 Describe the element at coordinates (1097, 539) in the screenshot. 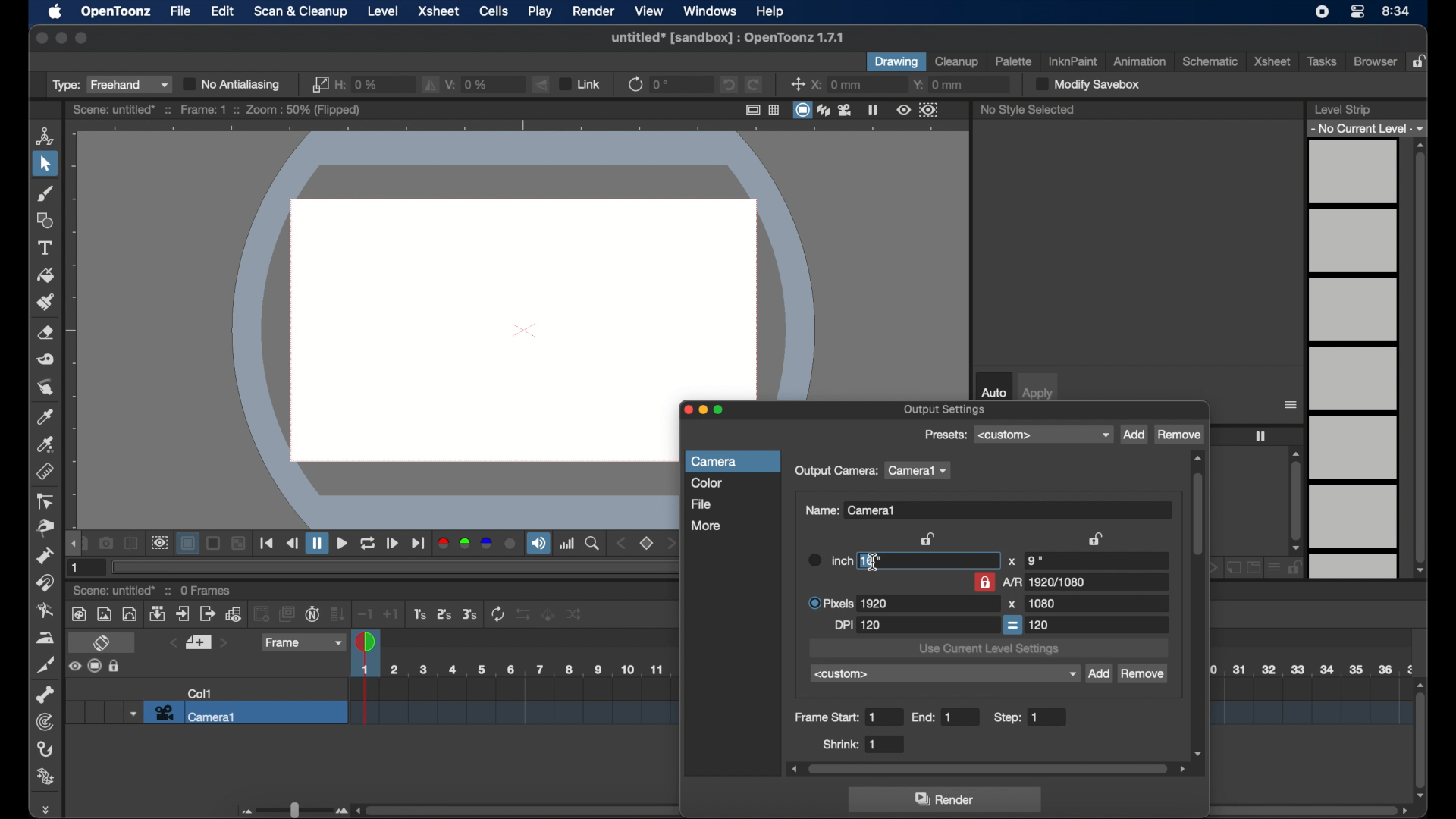

I see `` at that location.